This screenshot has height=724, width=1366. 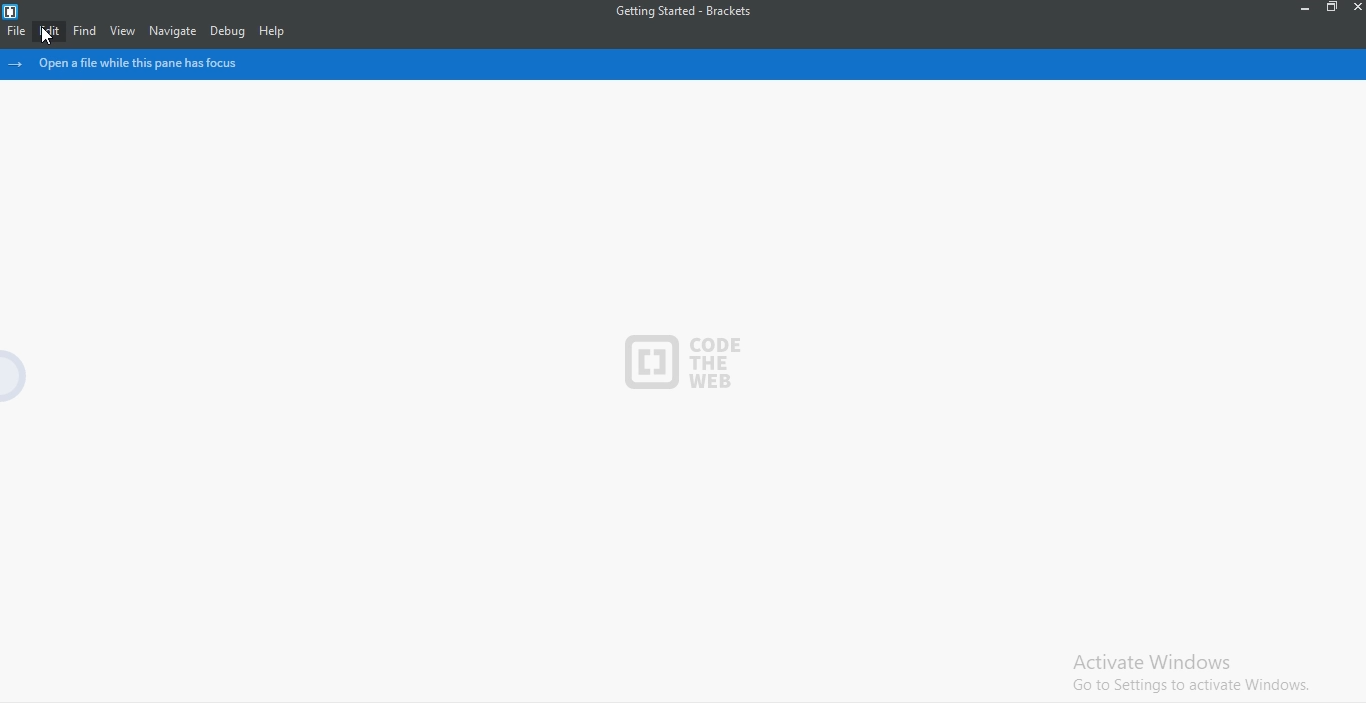 What do you see at coordinates (1306, 10) in the screenshot?
I see `minimise` at bounding box center [1306, 10].